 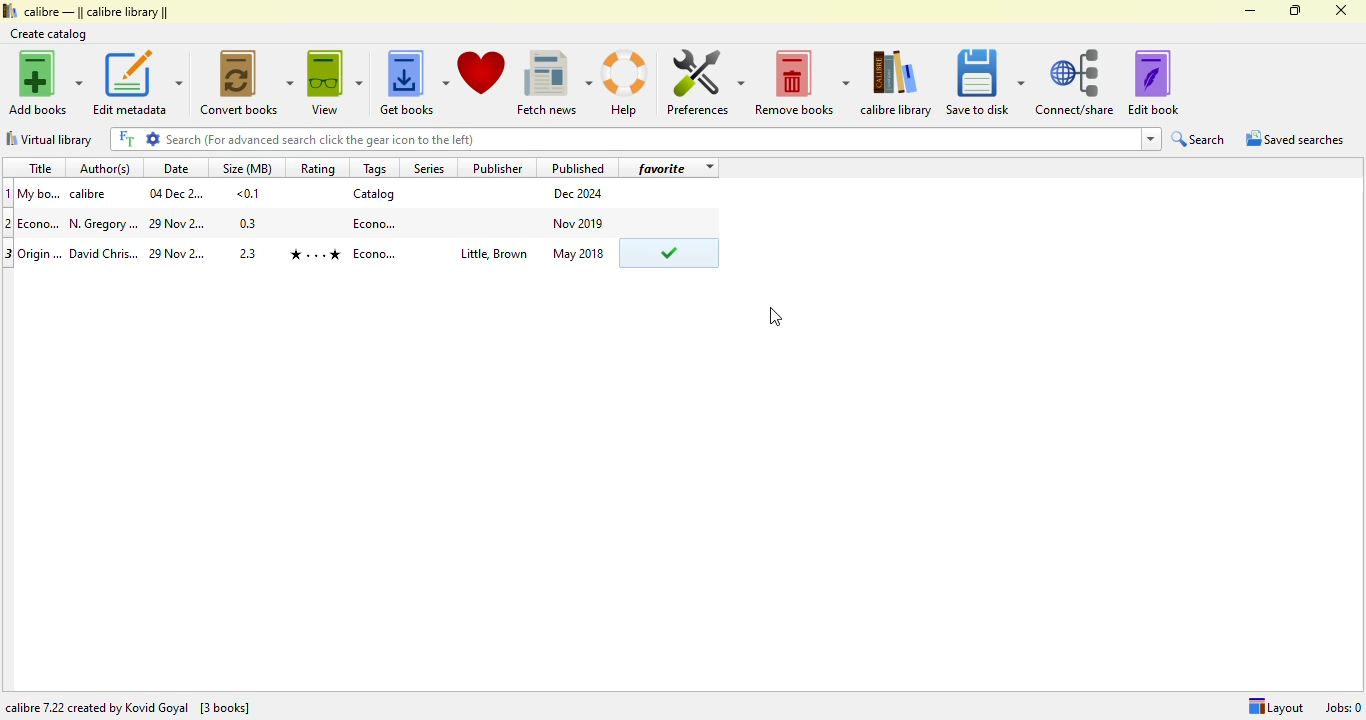 I want to click on publish date, so click(x=580, y=222).